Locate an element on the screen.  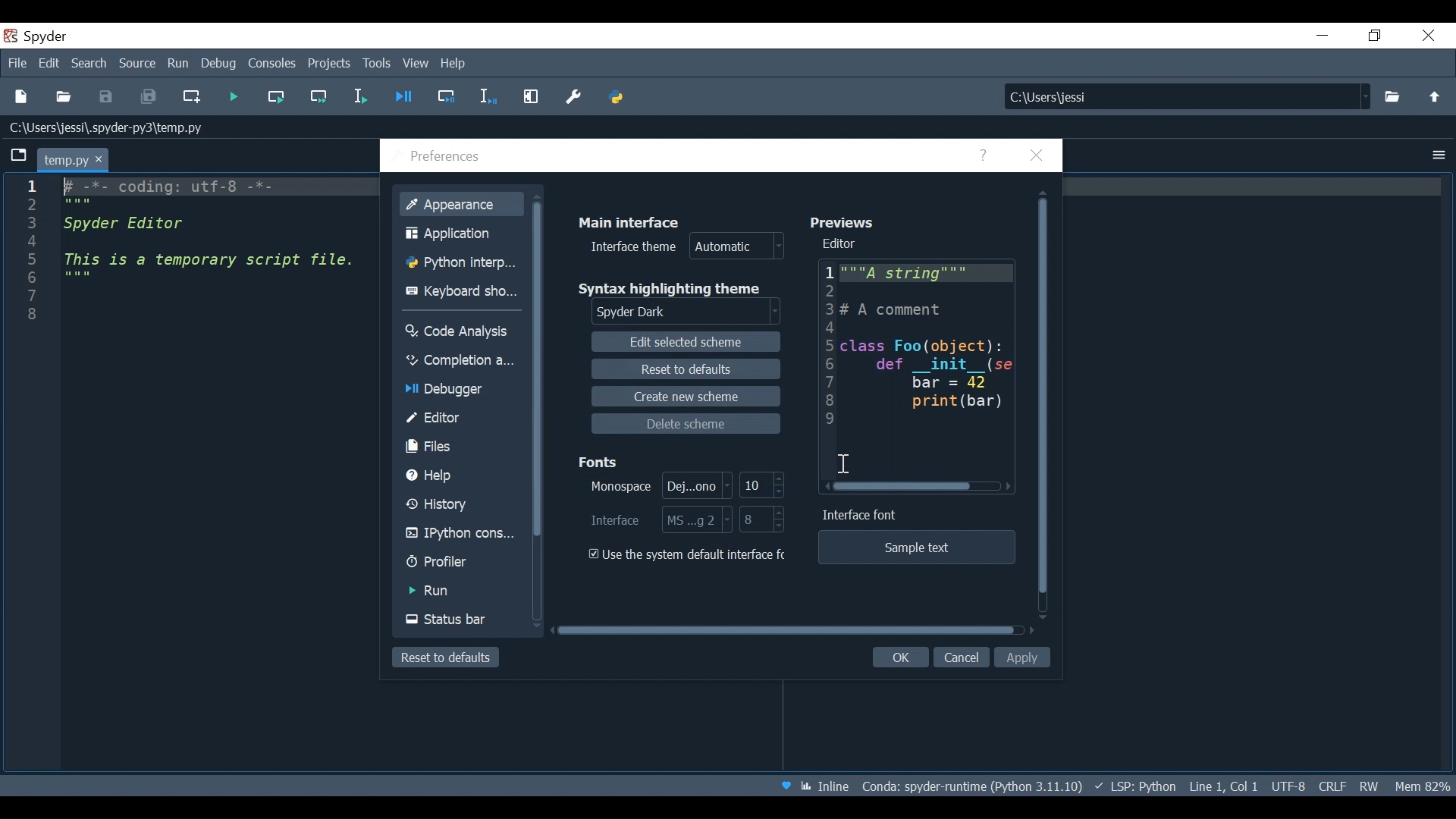
Status bar is located at coordinates (460, 619).